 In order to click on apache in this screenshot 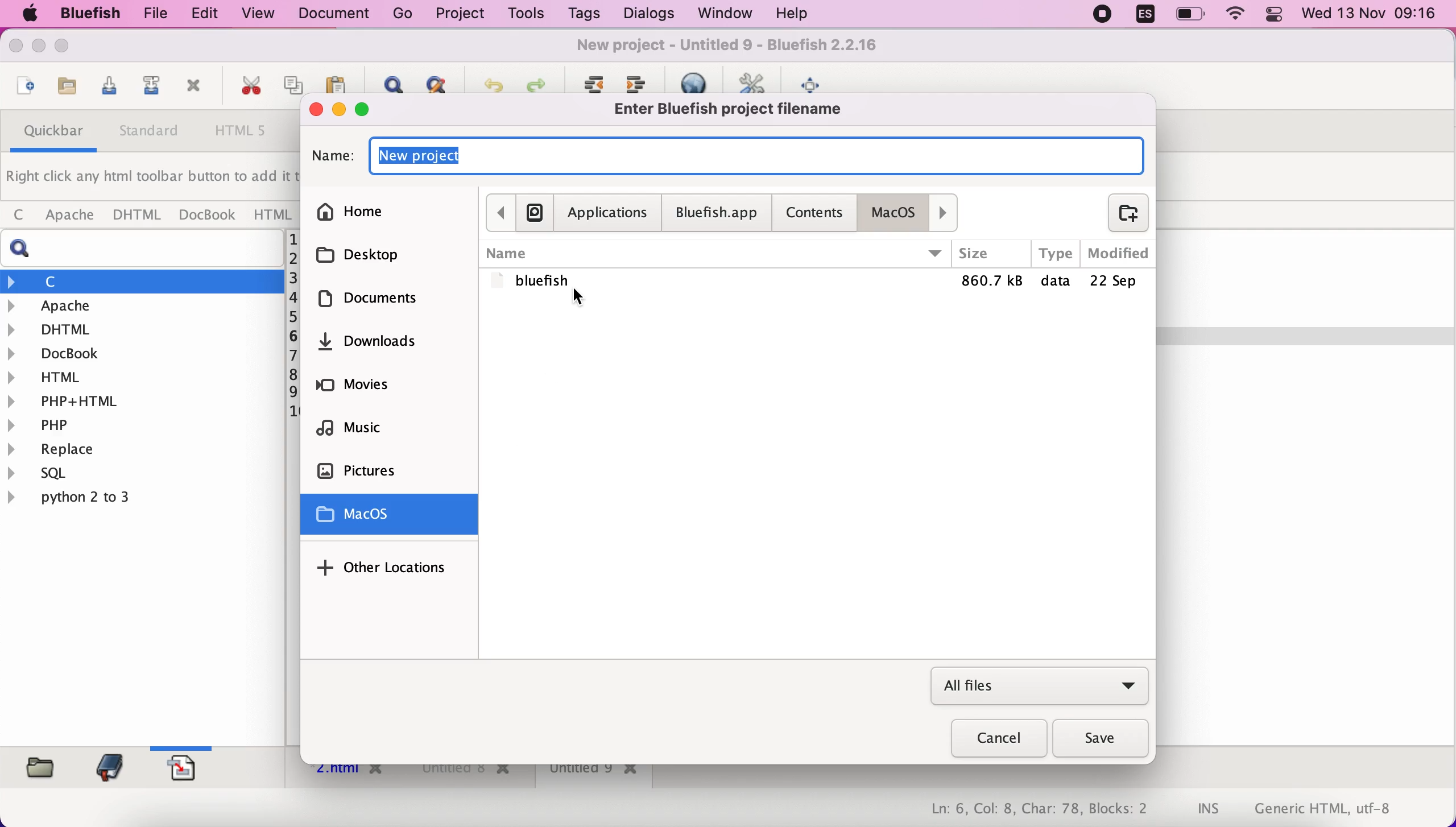, I will do `click(67, 216)`.